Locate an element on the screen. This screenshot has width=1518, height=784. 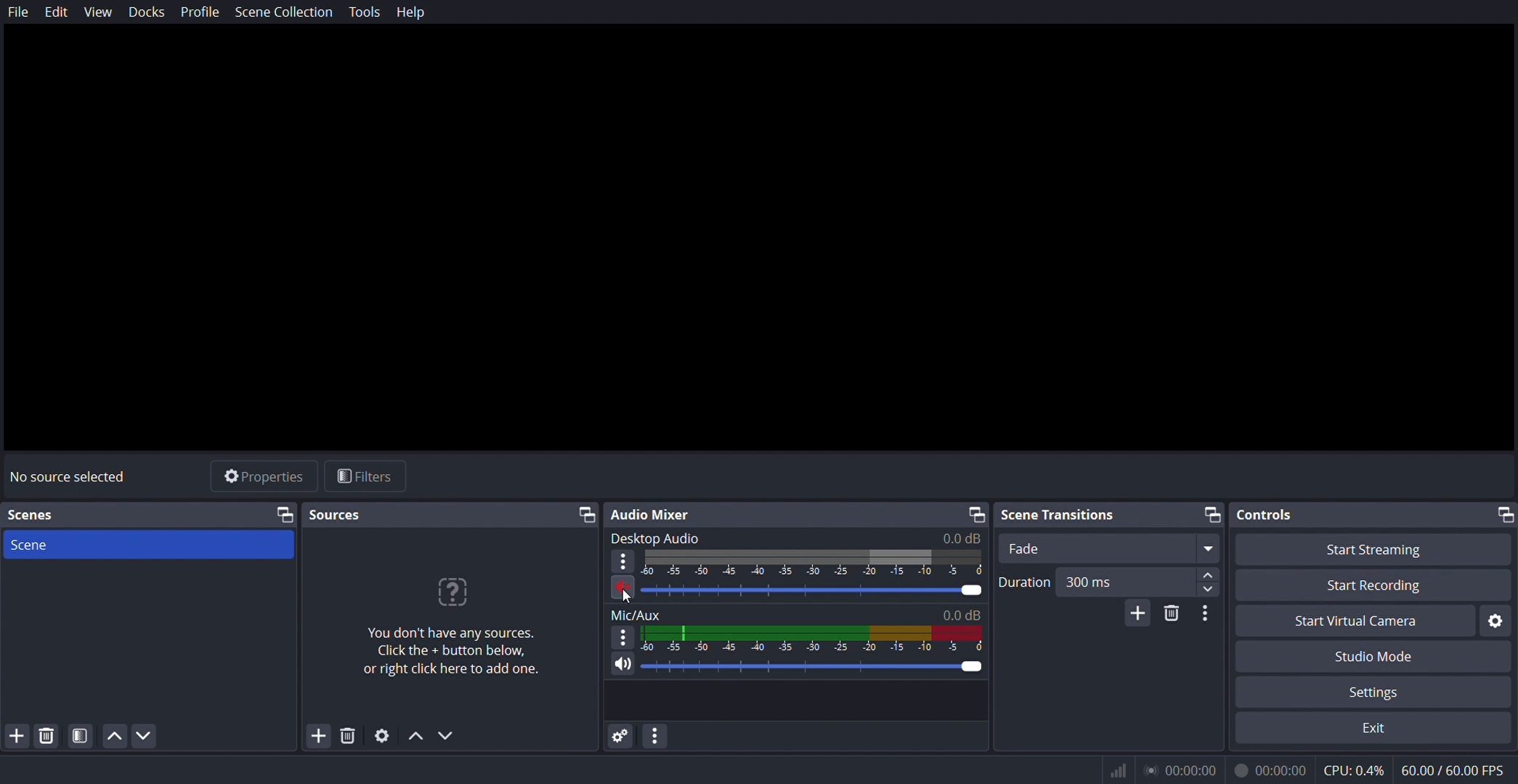
add scene is located at coordinates (18, 735).